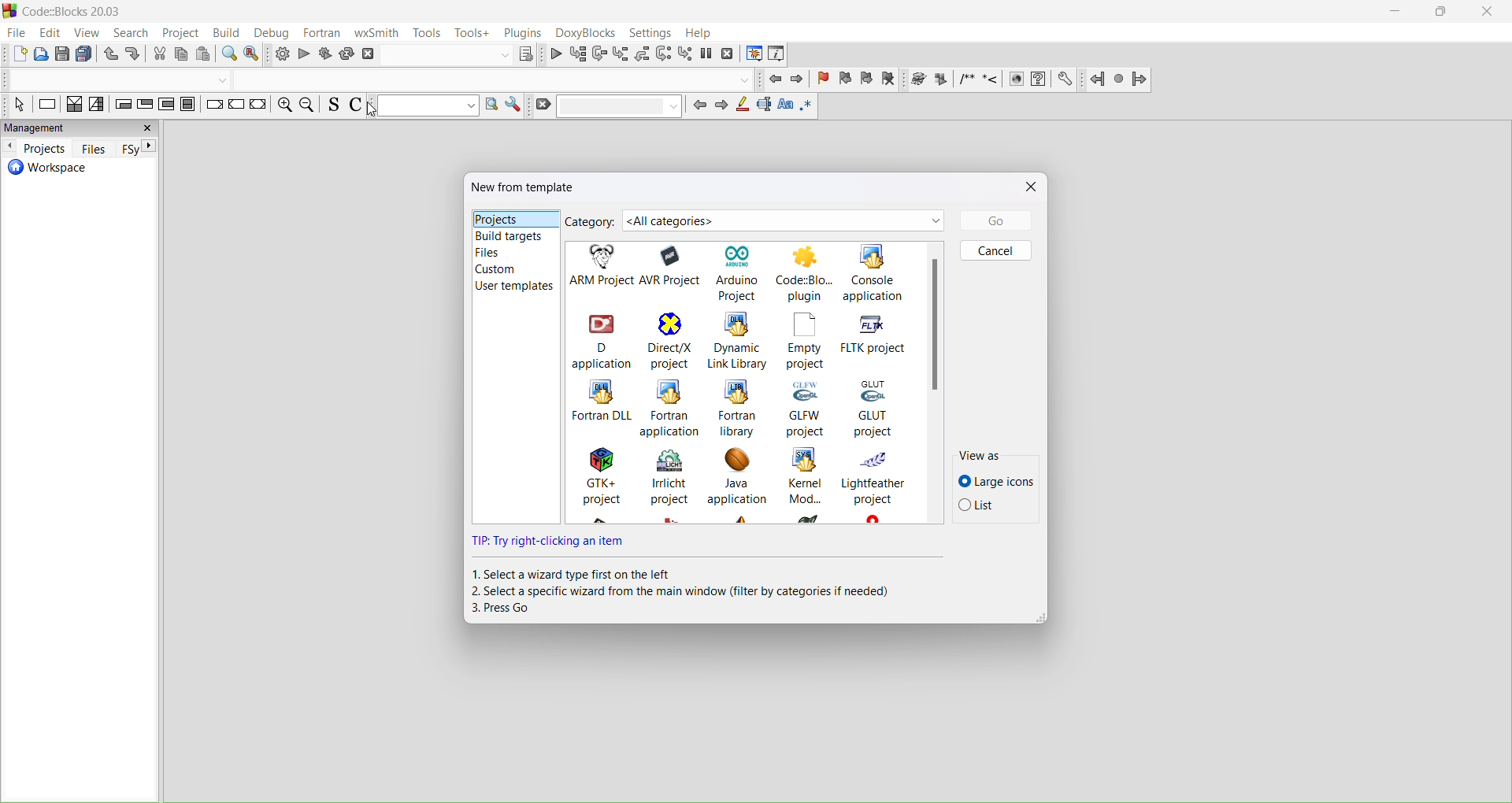  What do you see at coordinates (332, 107) in the screenshot?
I see `toggle searches` at bounding box center [332, 107].